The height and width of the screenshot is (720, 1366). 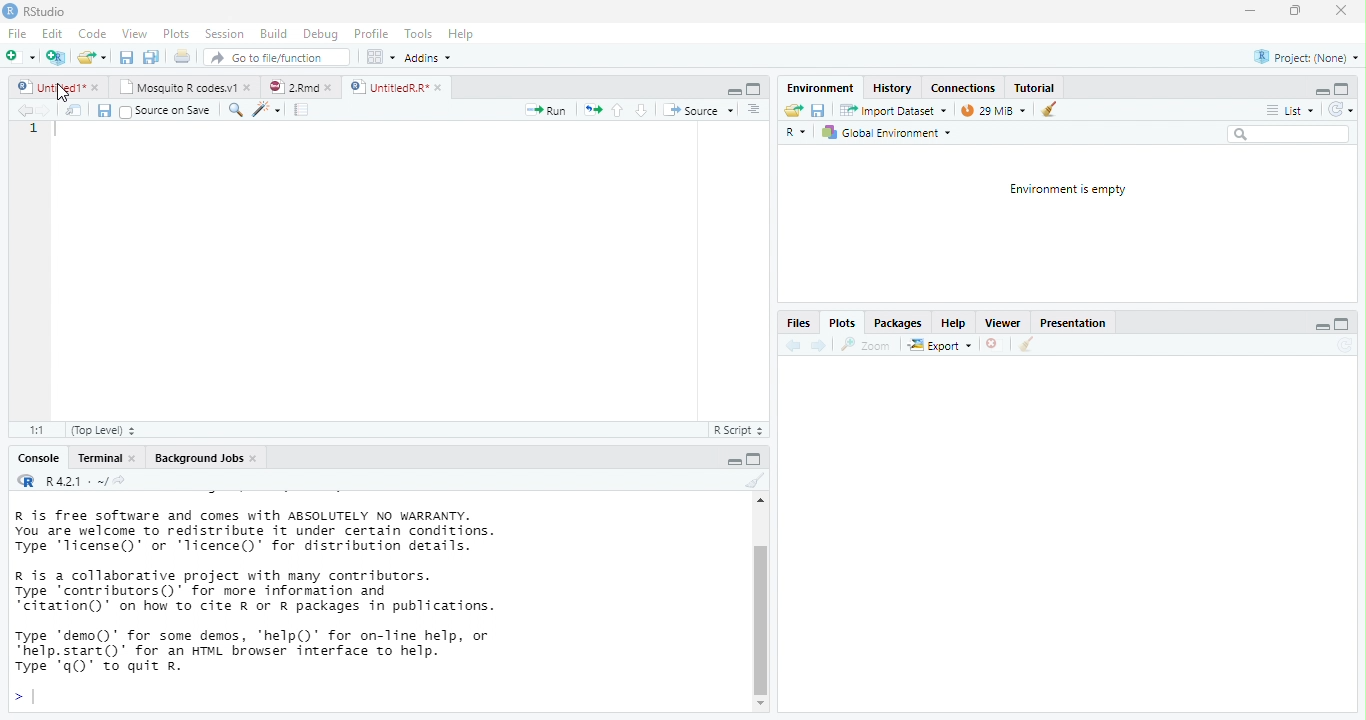 I want to click on minimize, so click(x=1323, y=329).